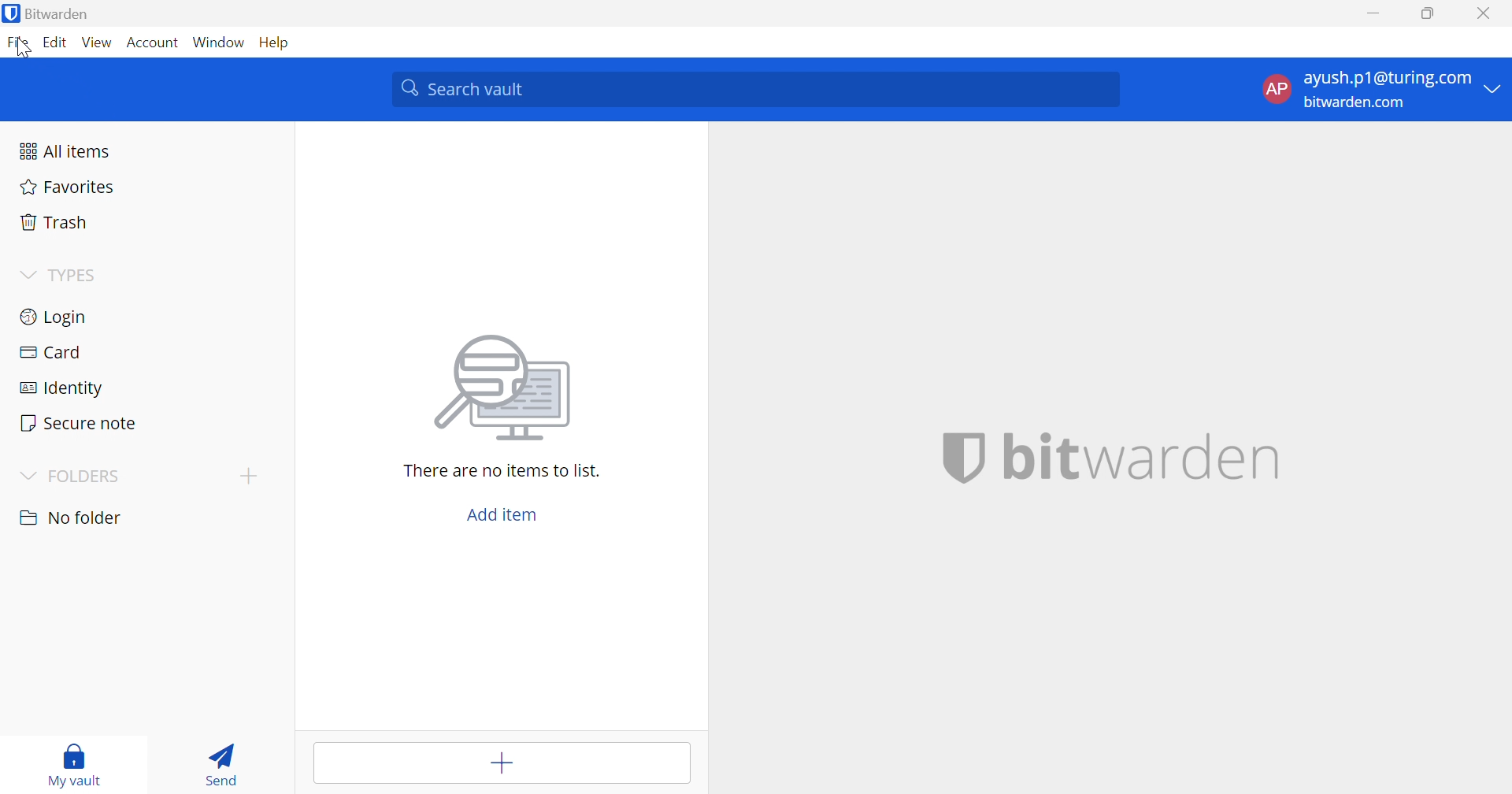  I want to click on Account, so click(152, 42).